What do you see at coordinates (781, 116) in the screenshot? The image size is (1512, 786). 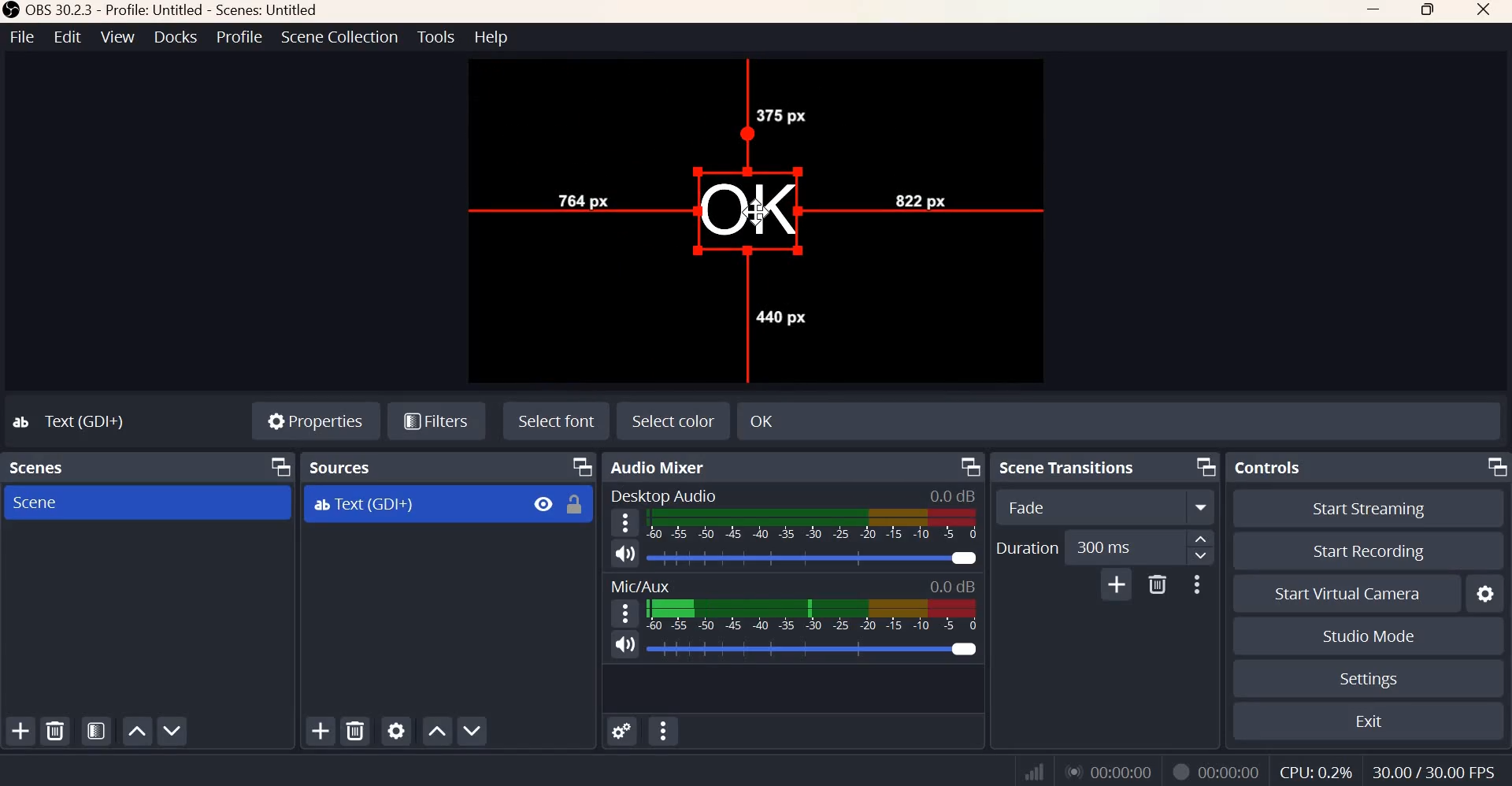 I see `375 px` at bounding box center [781, 116].